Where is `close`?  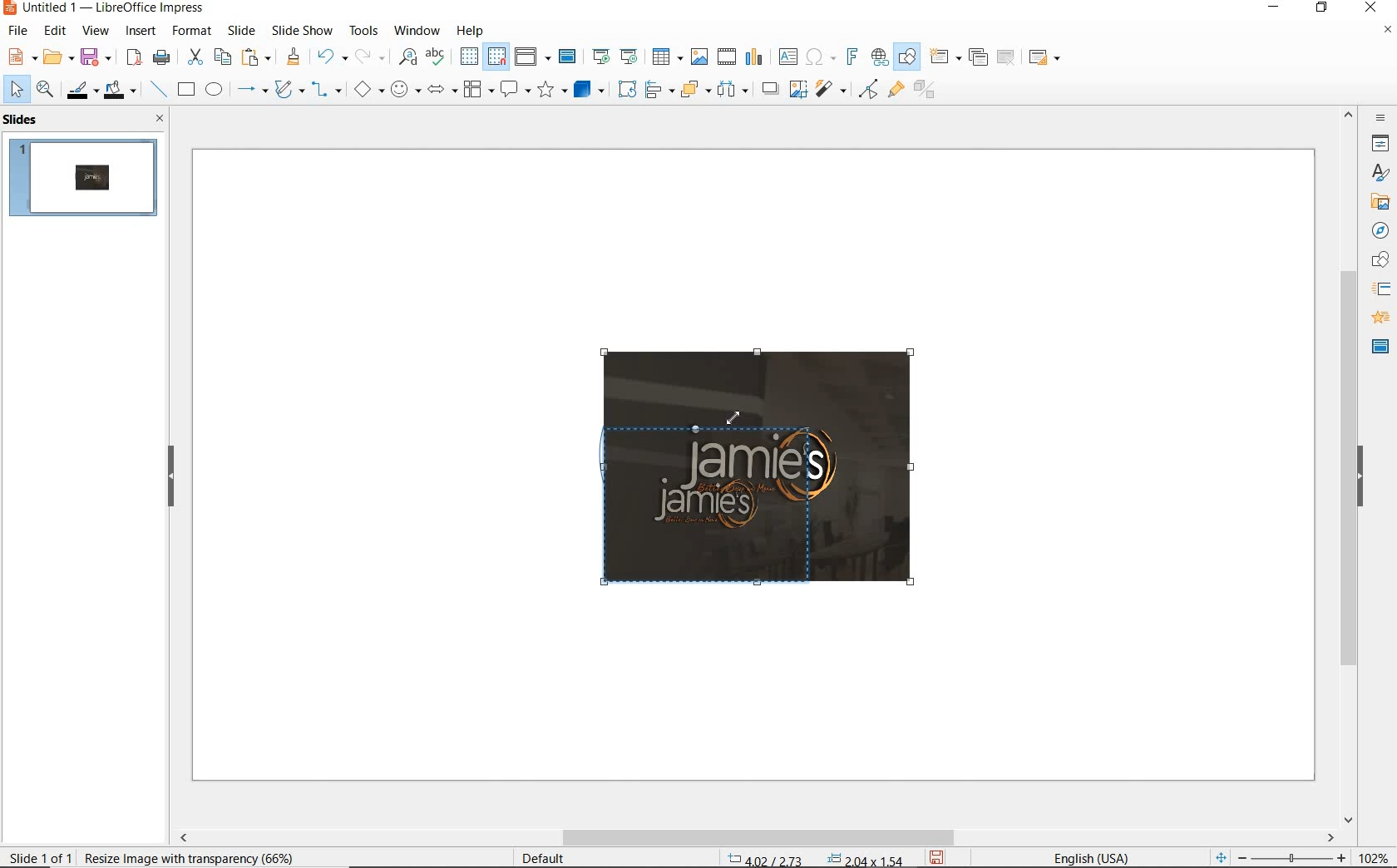 close is located at coordinates (1370, 8).